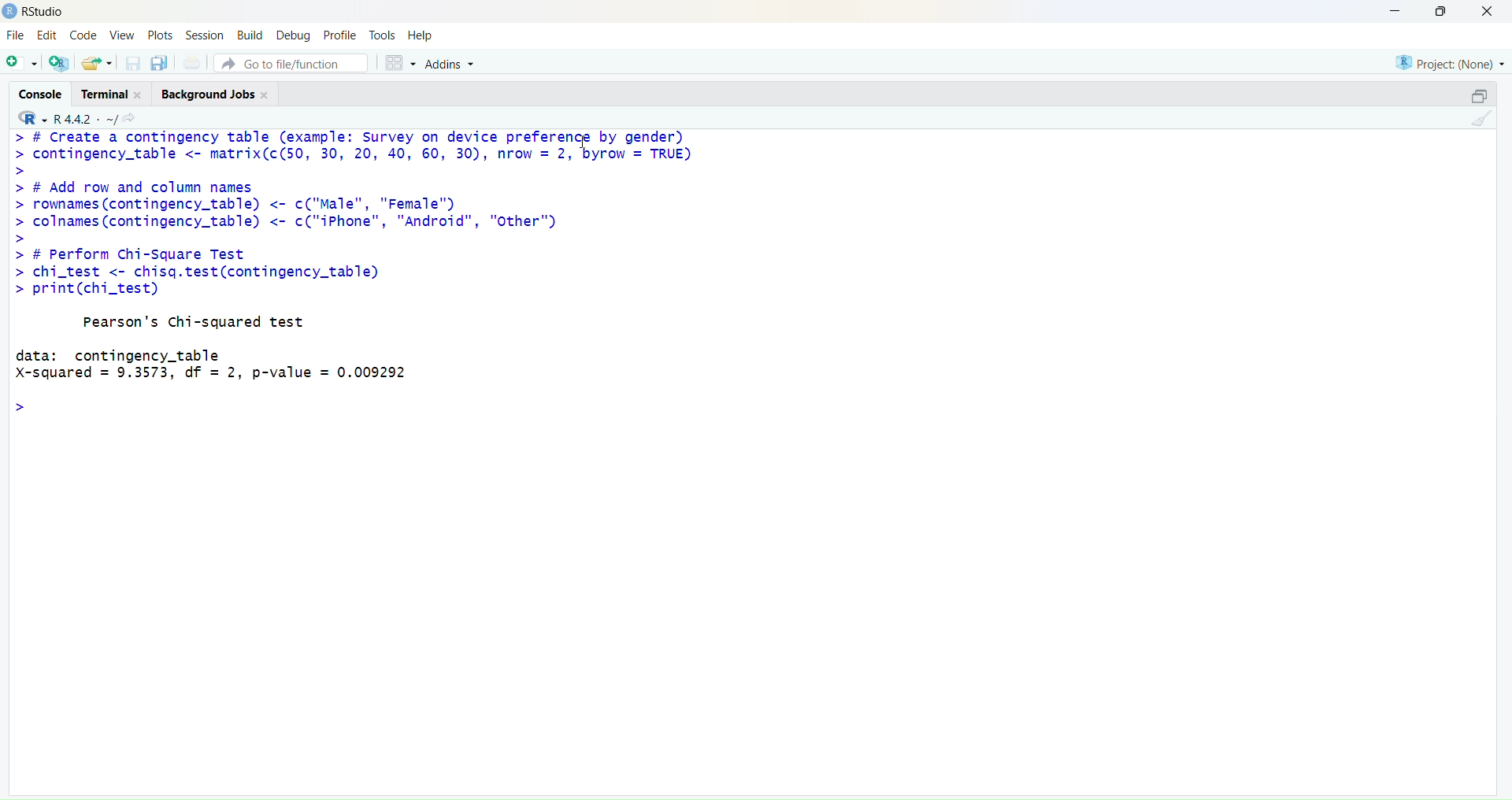 Image resolution: width=1512 pixels, height=800 pixels. What do you see at coordinates (295, 37) in the screenshot?
I see `Debug` at bounding box center [295, 37].